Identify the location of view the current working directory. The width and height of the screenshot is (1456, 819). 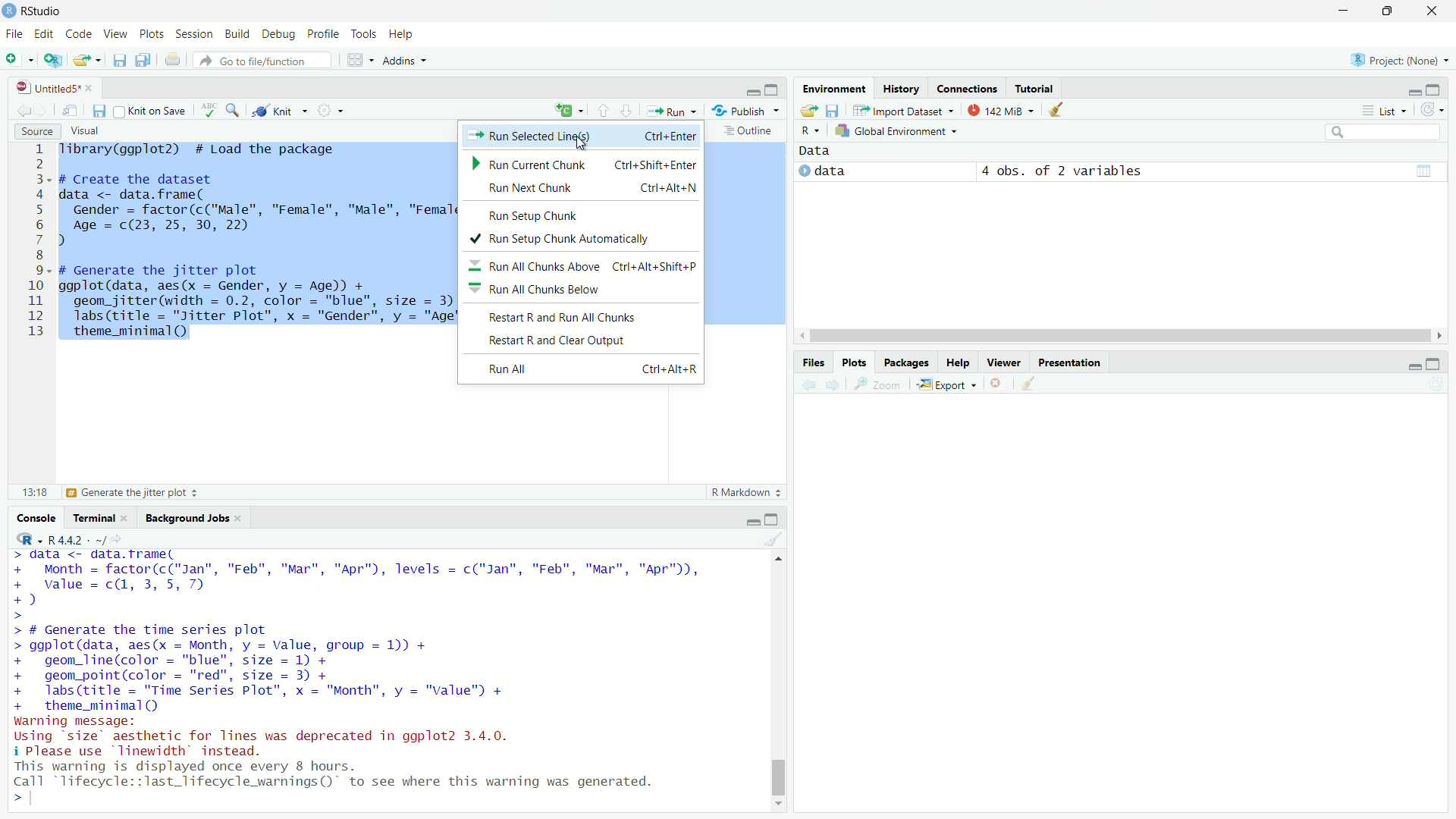
(123, 539).